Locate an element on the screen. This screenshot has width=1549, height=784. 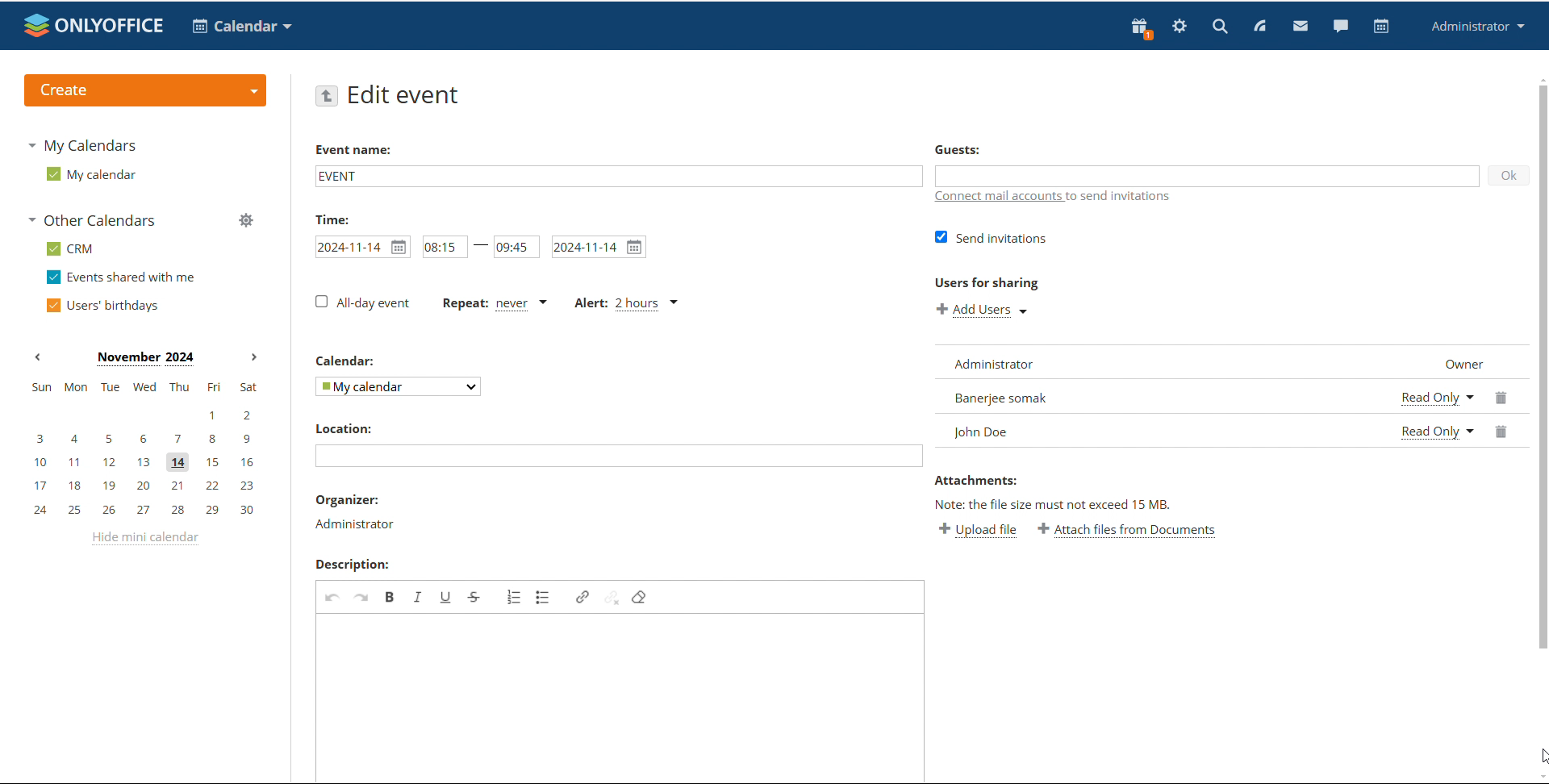
chat is located at coordinates (1340, 25).